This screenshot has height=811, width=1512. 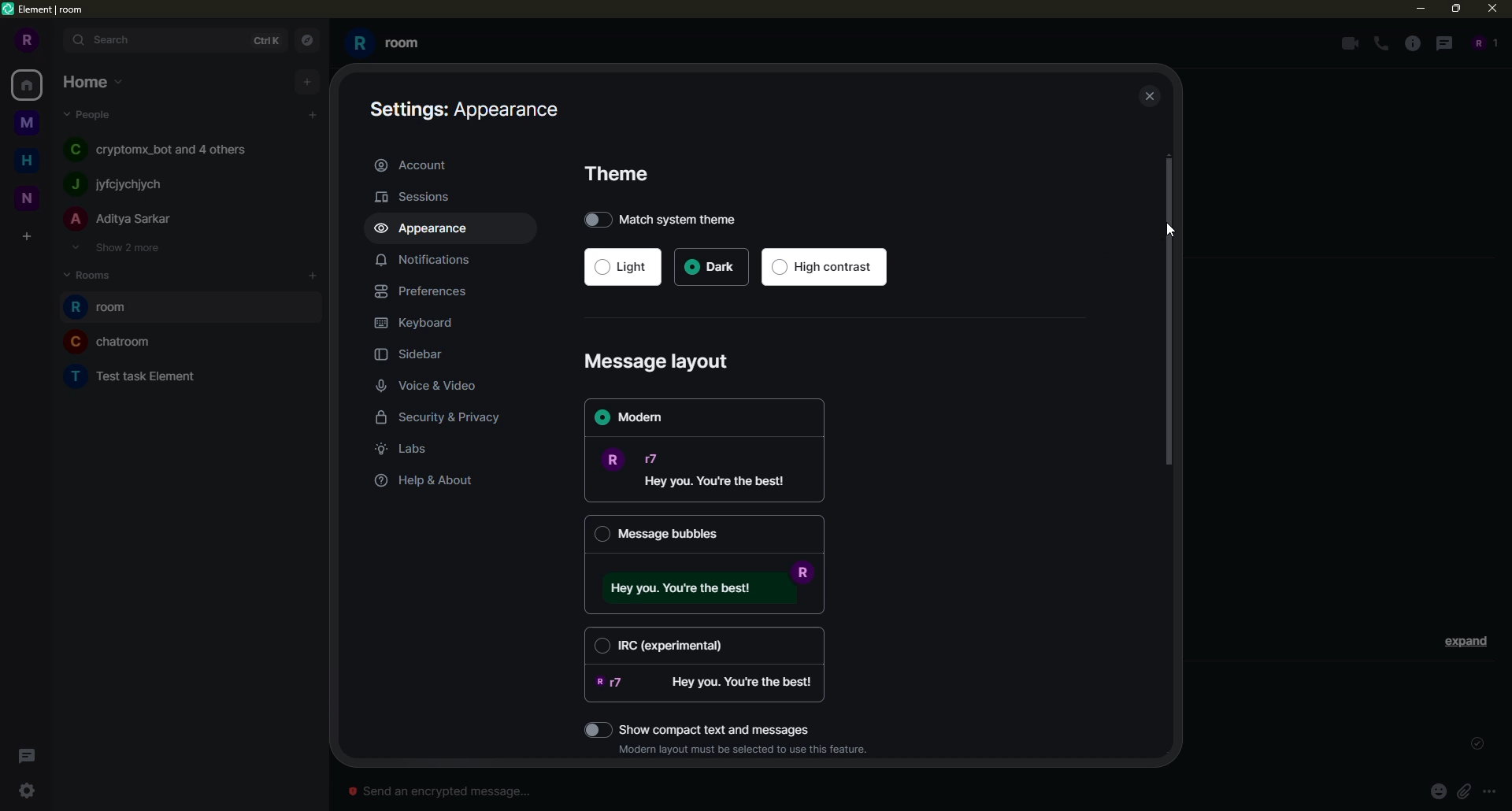 I want to click on preferences, so click(x=428, y=291).